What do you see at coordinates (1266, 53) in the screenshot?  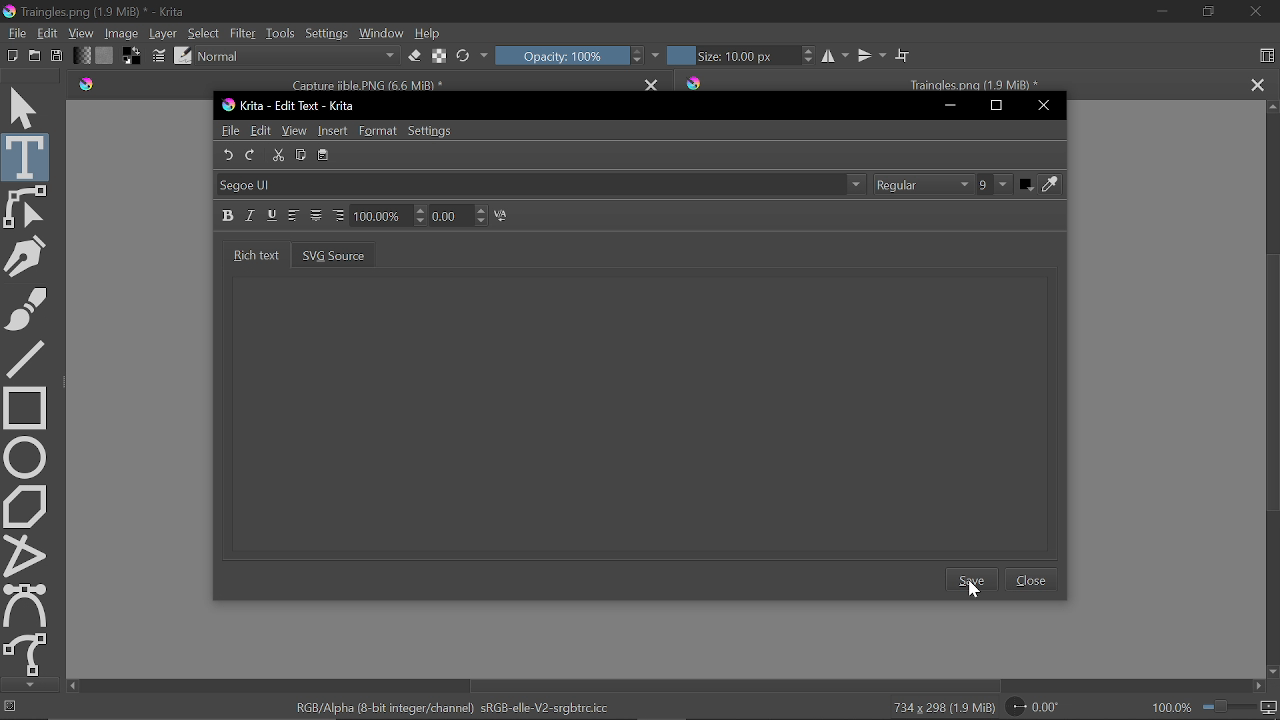 I see `Choose workspace` at bounding box center [1266, 53].